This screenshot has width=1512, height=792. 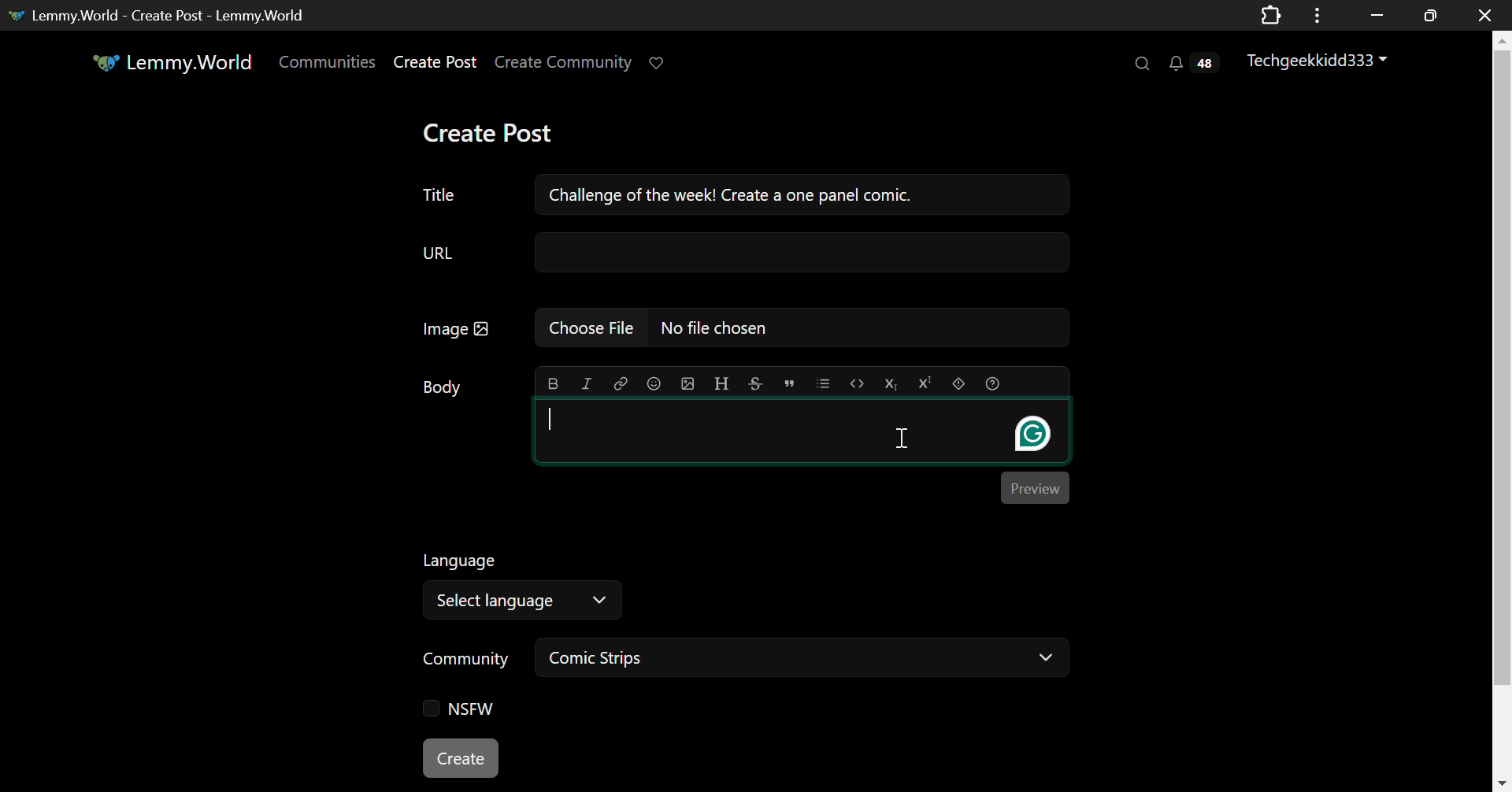 I want to click on Subscript, so click(x=891, y=383).